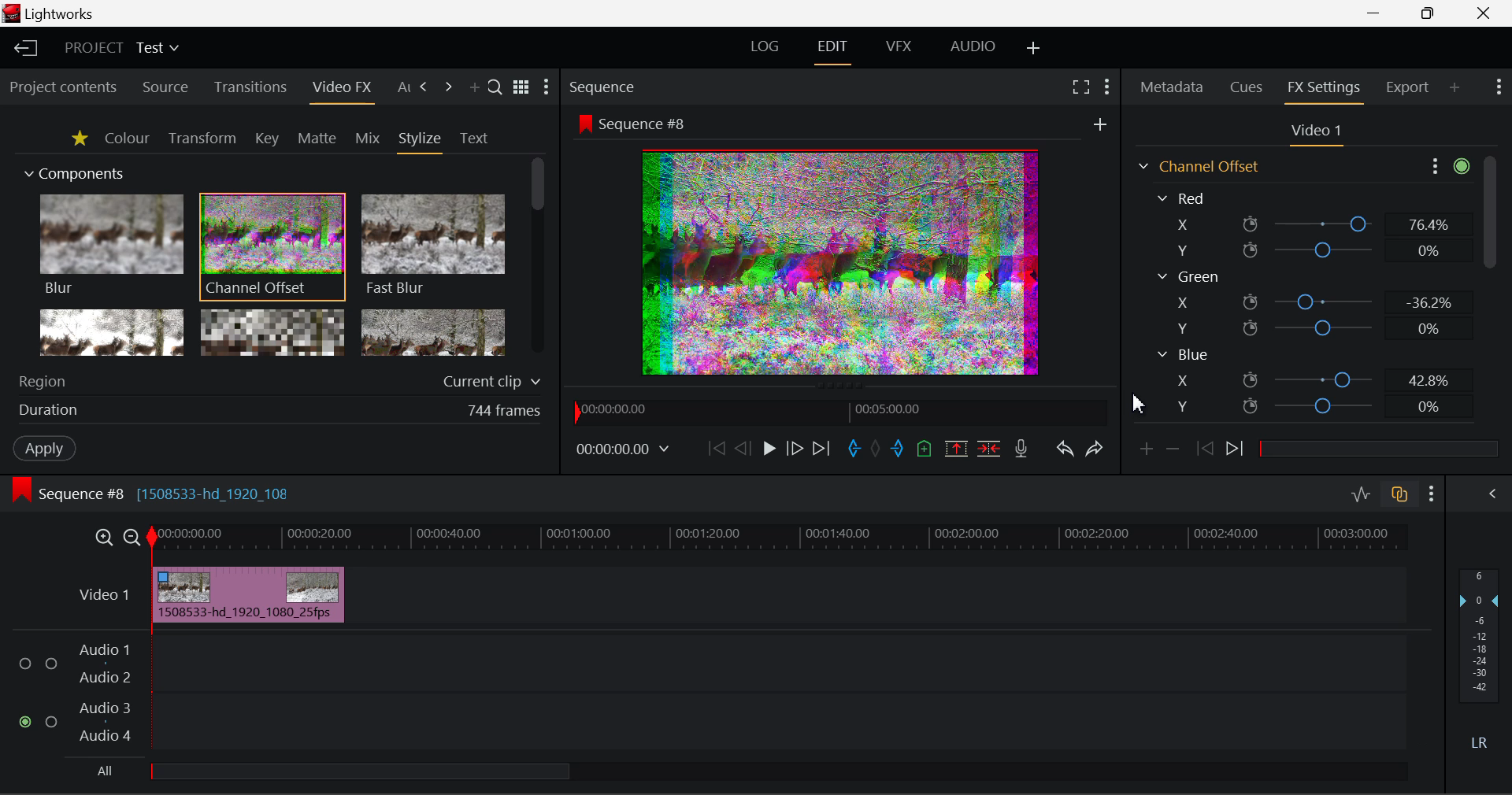  Describe the element at coordinates (202, 139) in the screenshot. I see `Transform` at that location.